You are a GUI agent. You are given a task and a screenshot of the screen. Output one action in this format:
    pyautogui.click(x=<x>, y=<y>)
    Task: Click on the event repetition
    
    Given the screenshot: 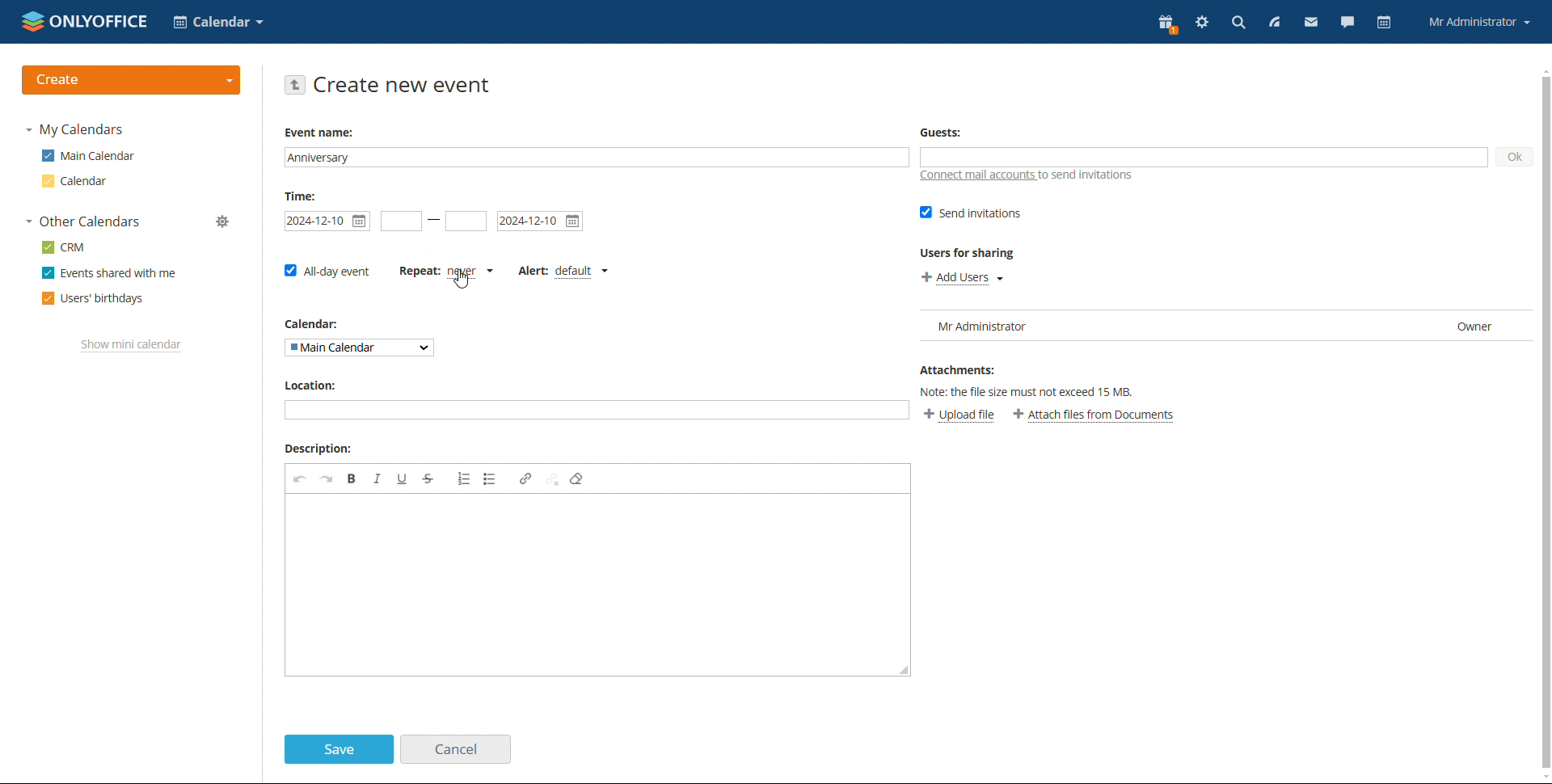 What is the action you would take?
    pyautogui.click(x=445, y=271)
    